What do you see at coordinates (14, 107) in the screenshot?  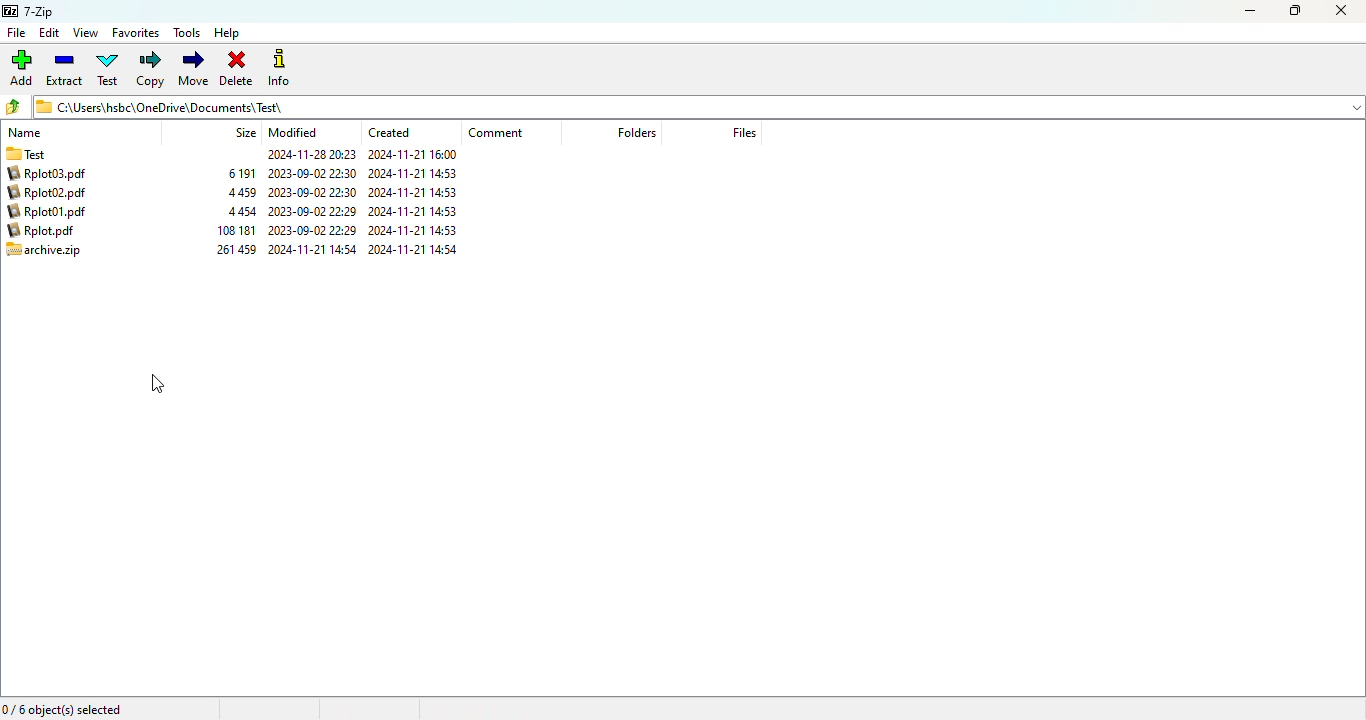 I see `browse folders` at bounding box center [14, 107].